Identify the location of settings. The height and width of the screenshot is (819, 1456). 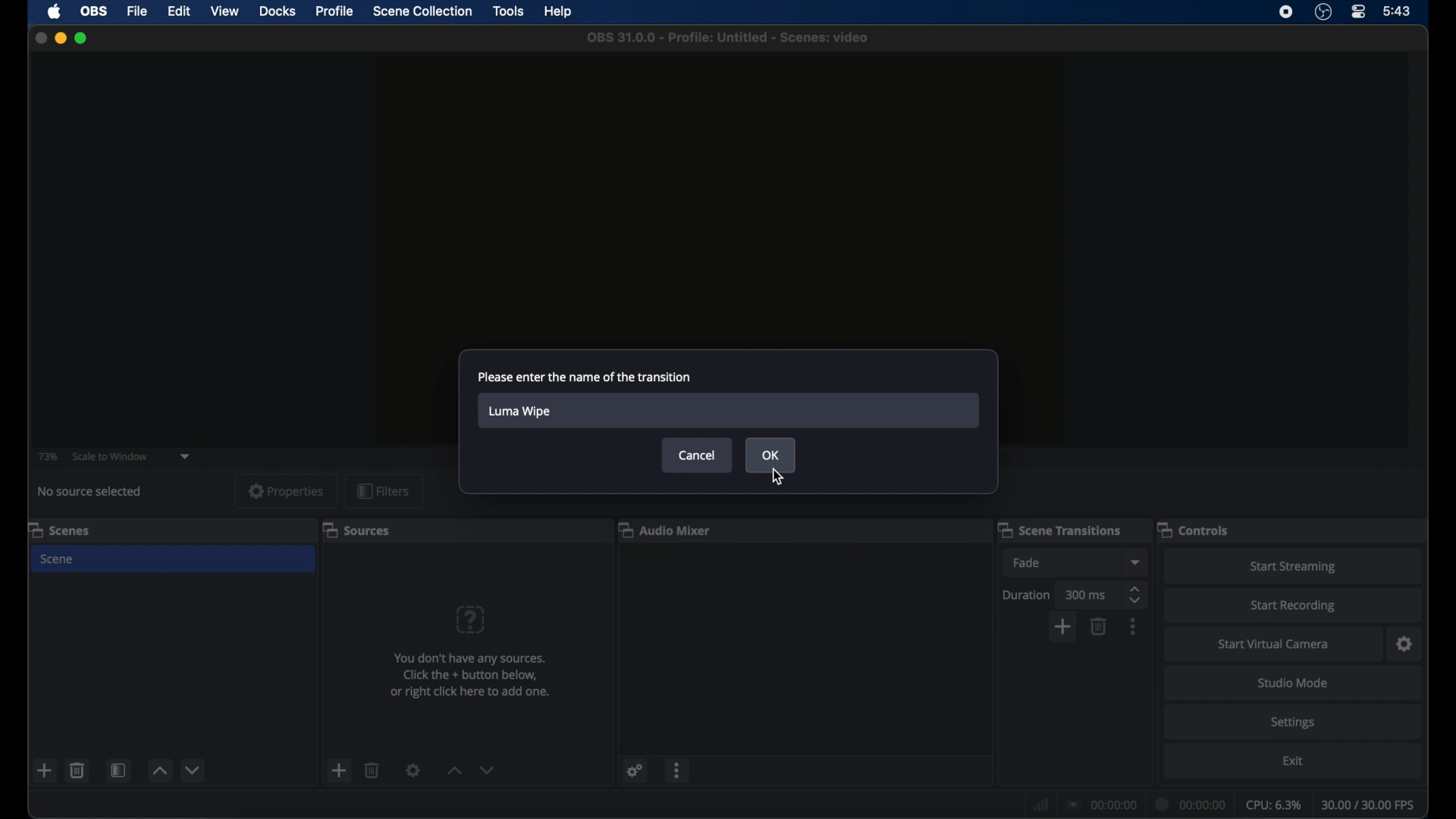
(1404, 645).